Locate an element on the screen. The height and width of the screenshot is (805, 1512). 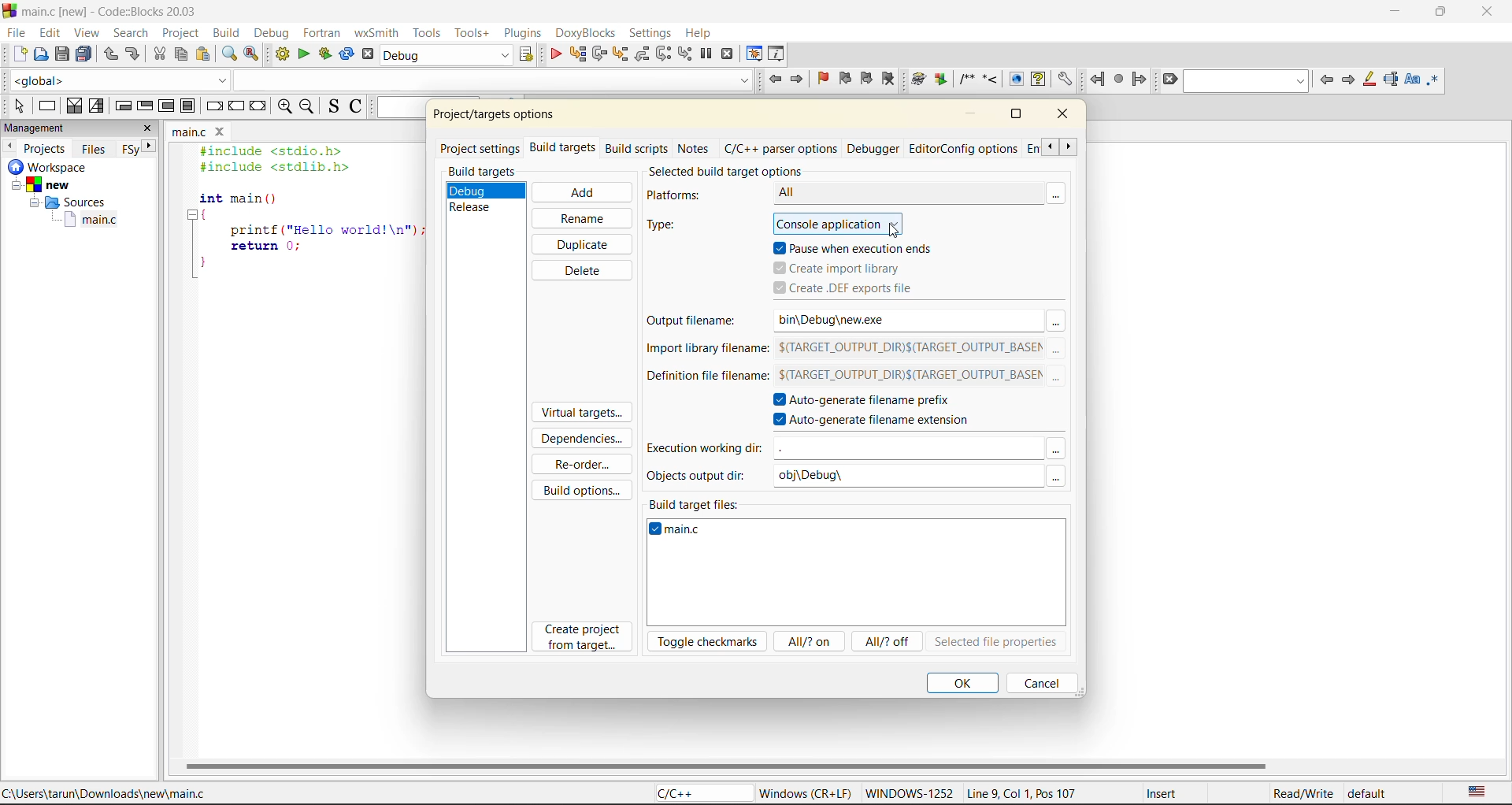
cursor is located at coordinates (896, 231).